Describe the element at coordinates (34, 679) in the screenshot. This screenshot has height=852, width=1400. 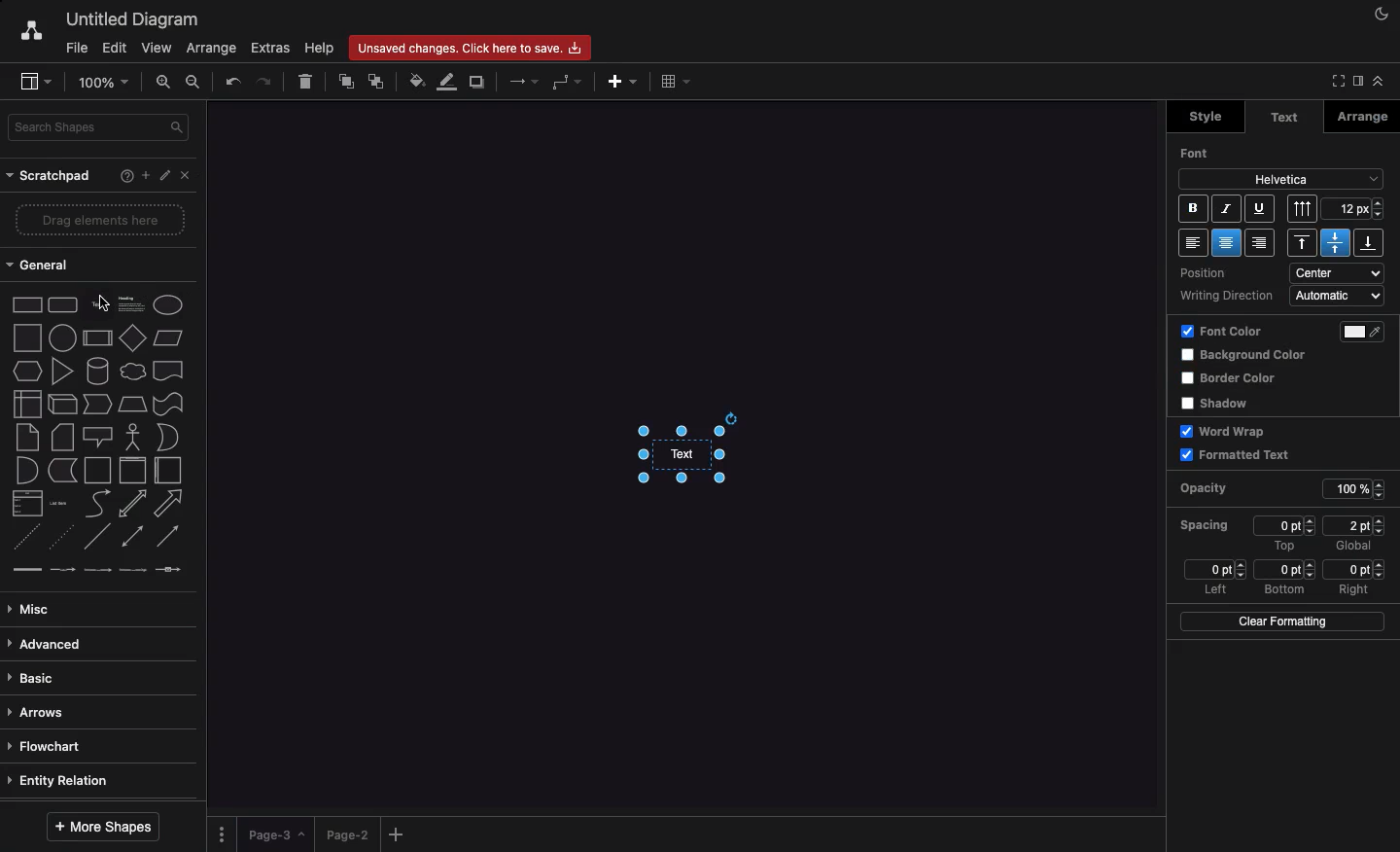
I see `Basic` at that location.